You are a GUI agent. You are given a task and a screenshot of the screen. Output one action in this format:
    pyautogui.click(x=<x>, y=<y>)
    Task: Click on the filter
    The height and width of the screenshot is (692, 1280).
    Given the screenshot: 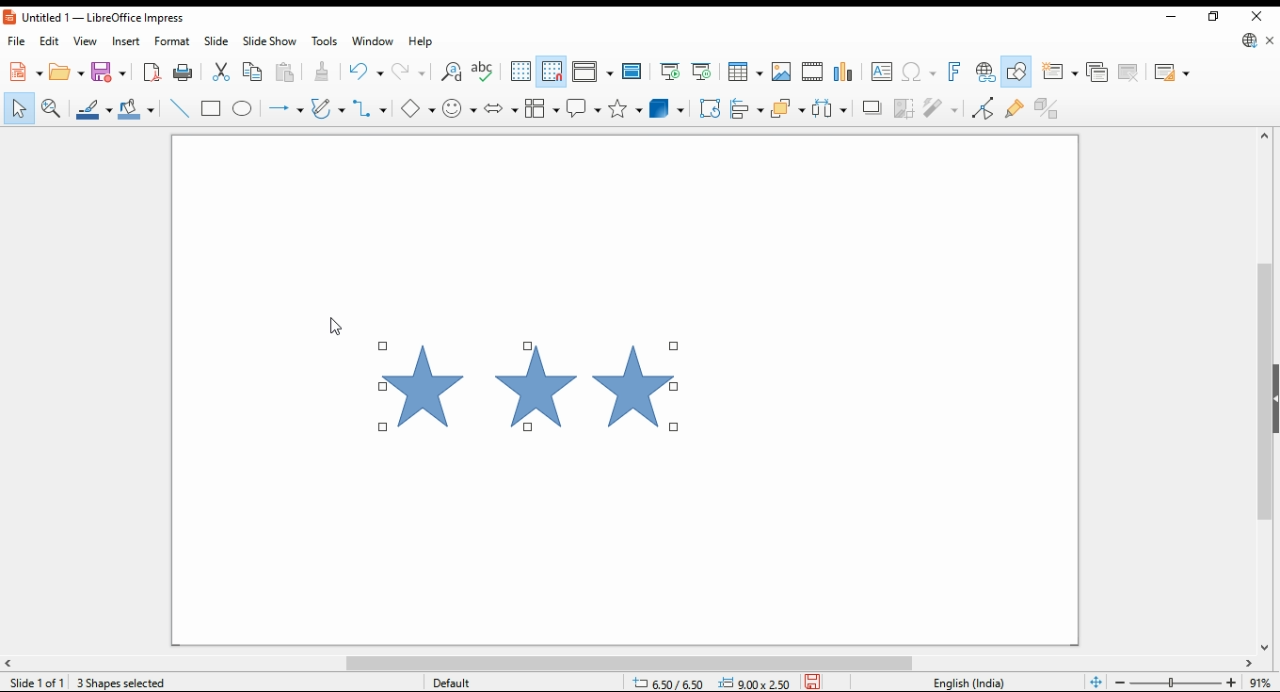 What is the action you would take?
    pyautogui.click(x=942, y=107)
    